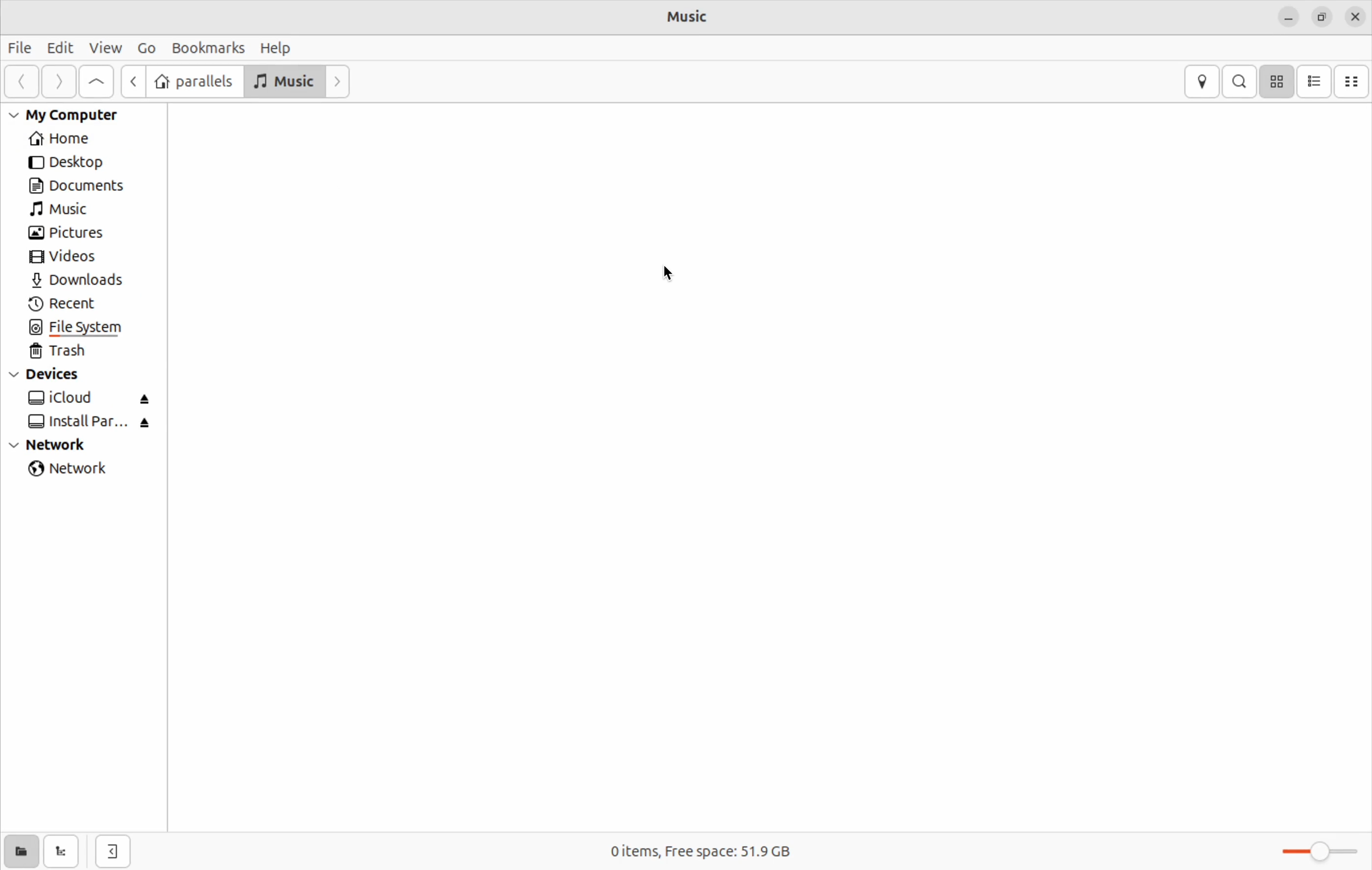 The height and width of the screenshot is (870, 1372). What do you see at coordinates (1239, 82) in the screenshot?
I see `search` at bounding box center [1239, 82].